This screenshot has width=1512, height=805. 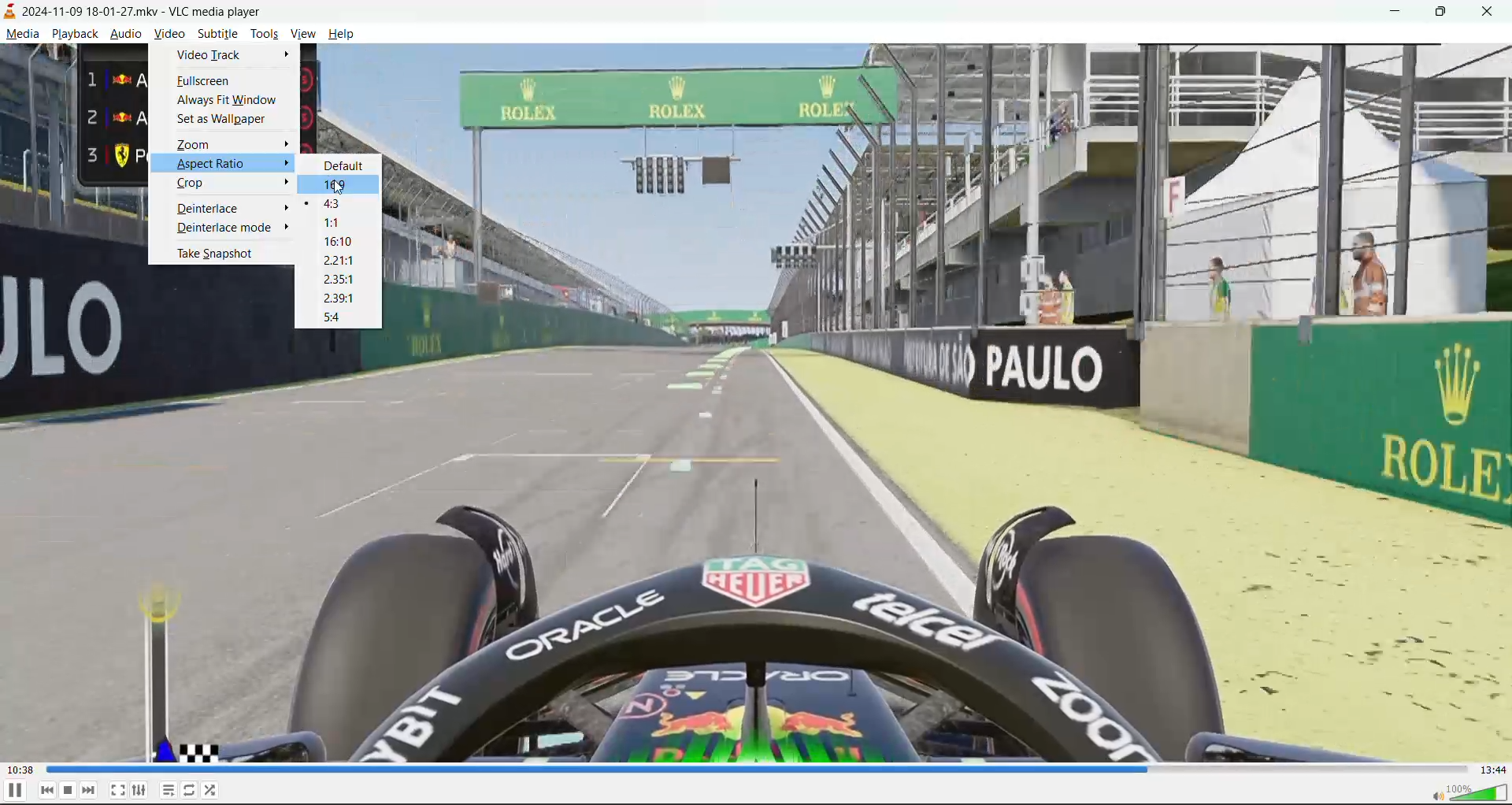 I want to click on crop, so click(x=194, y=184).